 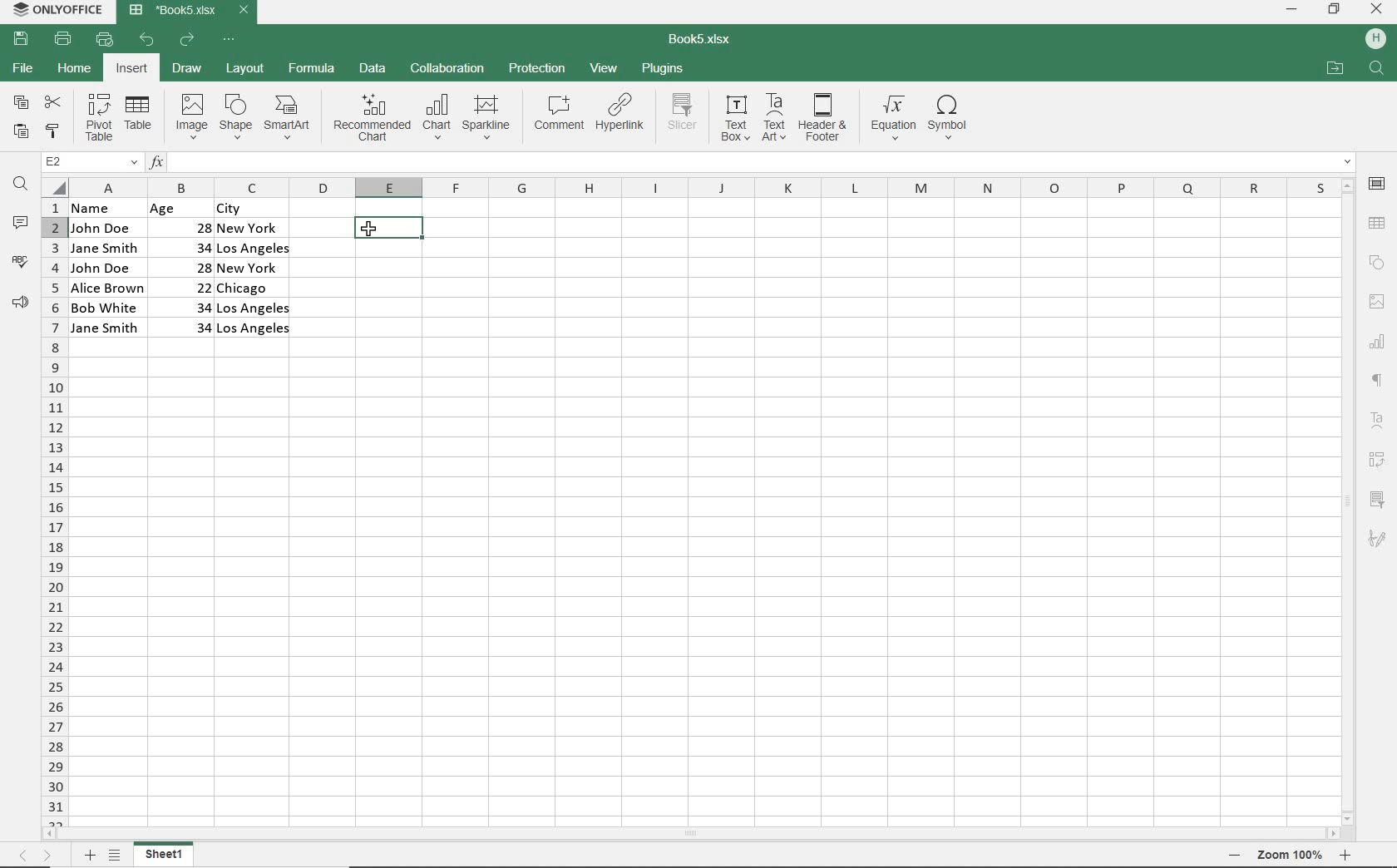 What do you see at coordinates (106, 328) in the screenshot?
I see `Jane Smith` at bounding box center [106, 328].